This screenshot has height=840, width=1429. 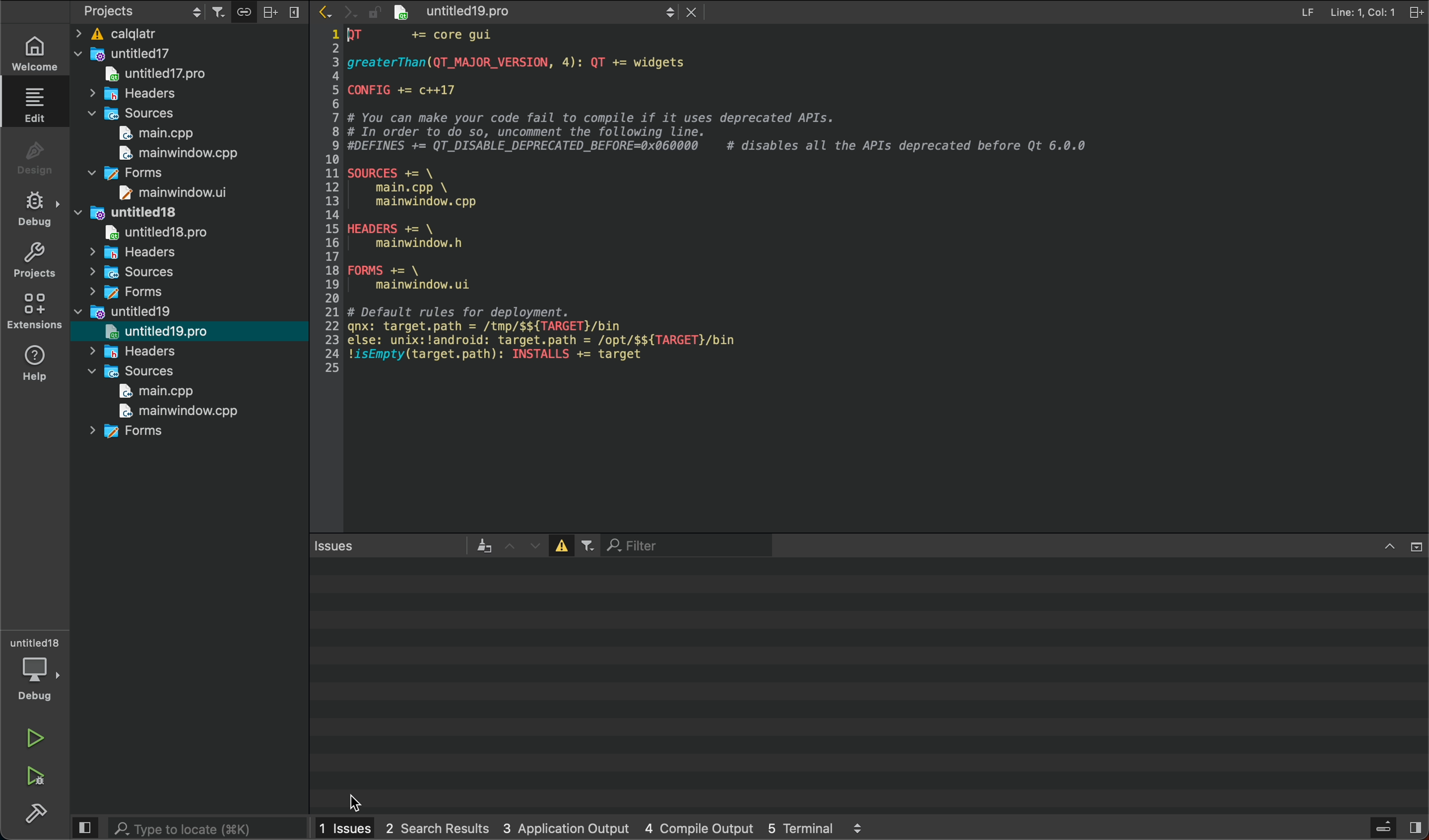 What do you see at coordinates (31, 645) in the screenshot?
I see `untitled` at bounding box center [31, 645].